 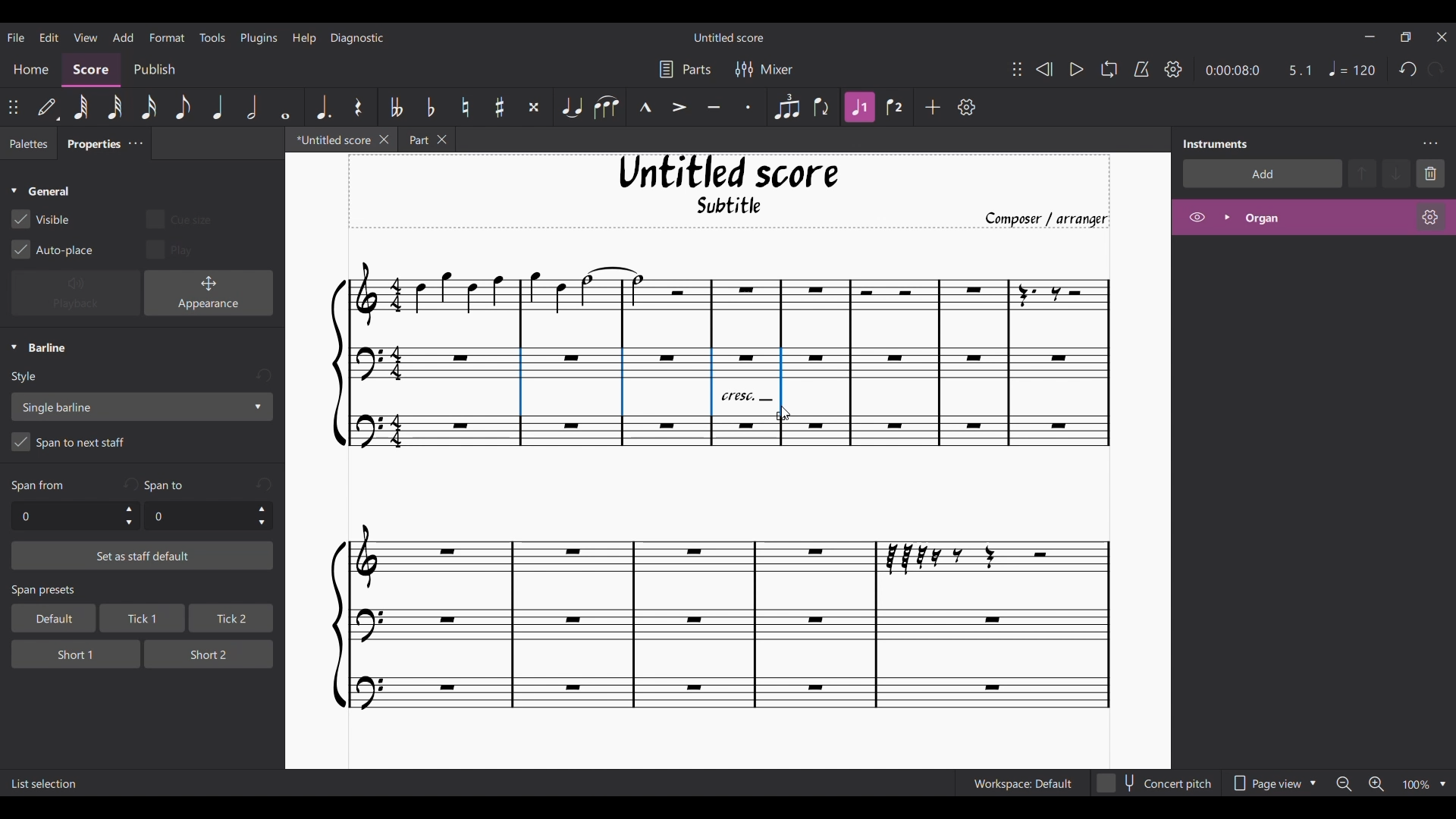 What do you see at coordinates (253, 106) in the screenshot?
I see `Half note` at bounding box center [253, 106].